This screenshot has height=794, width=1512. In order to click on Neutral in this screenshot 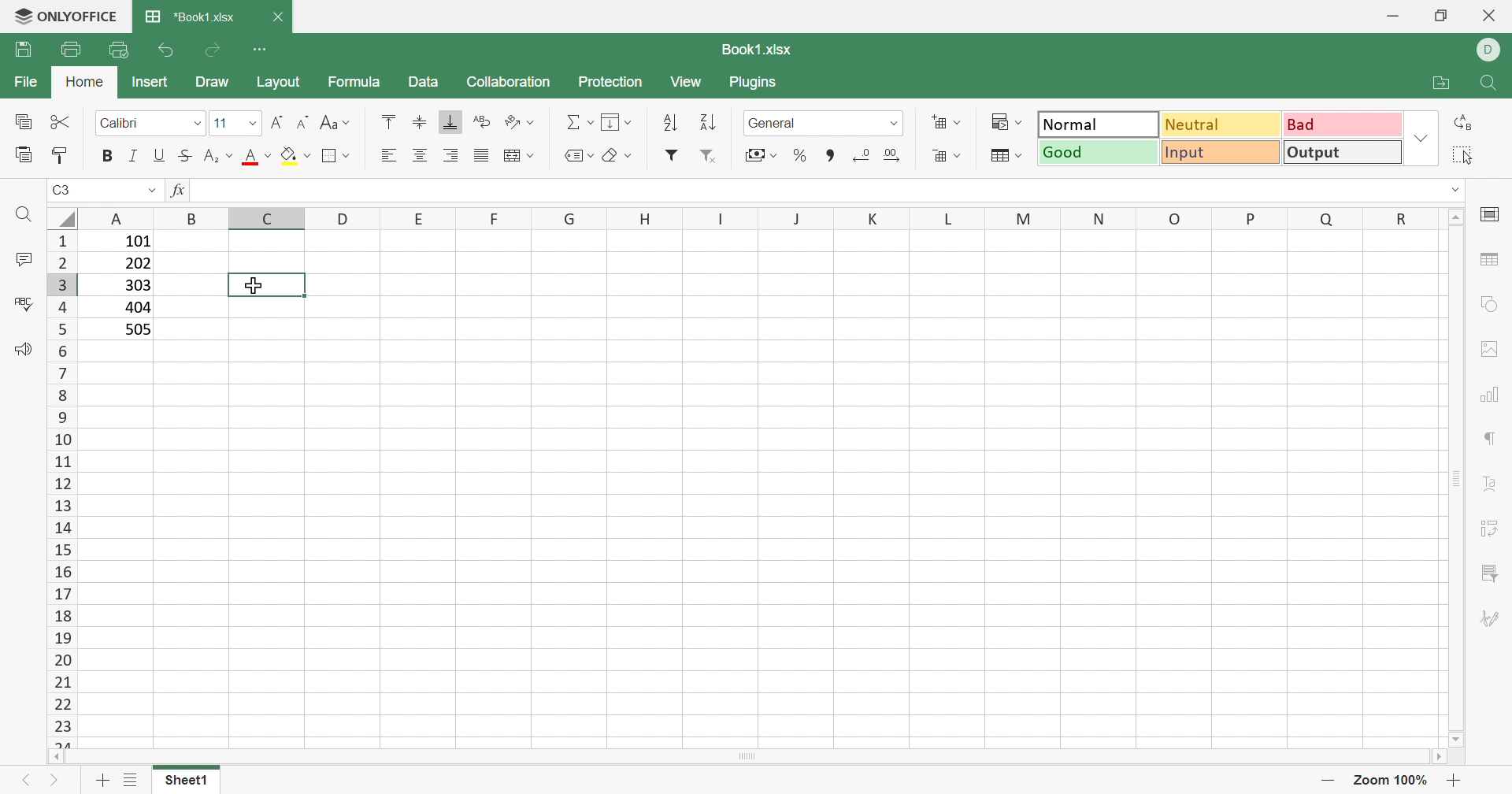, I will do `click(1222, 124)`.